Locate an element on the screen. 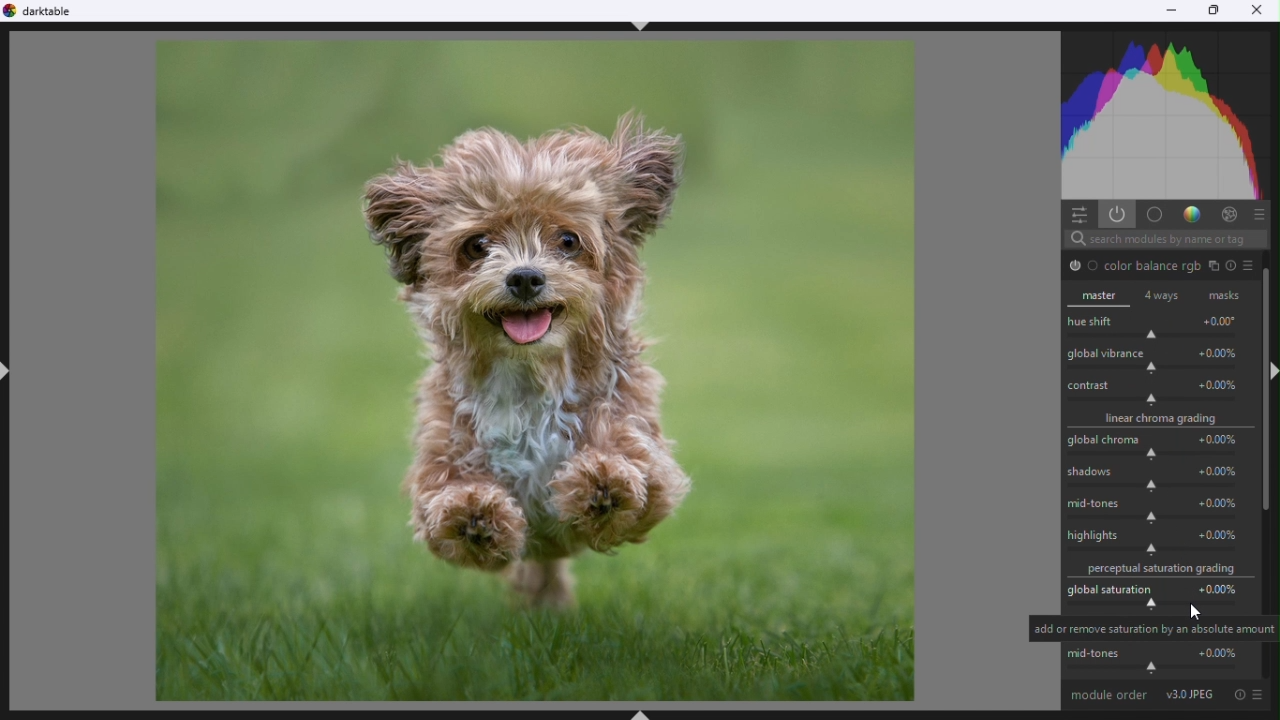 This screenshot has width=1280, height=720. hue shift is located at coordinates (1157, 327).